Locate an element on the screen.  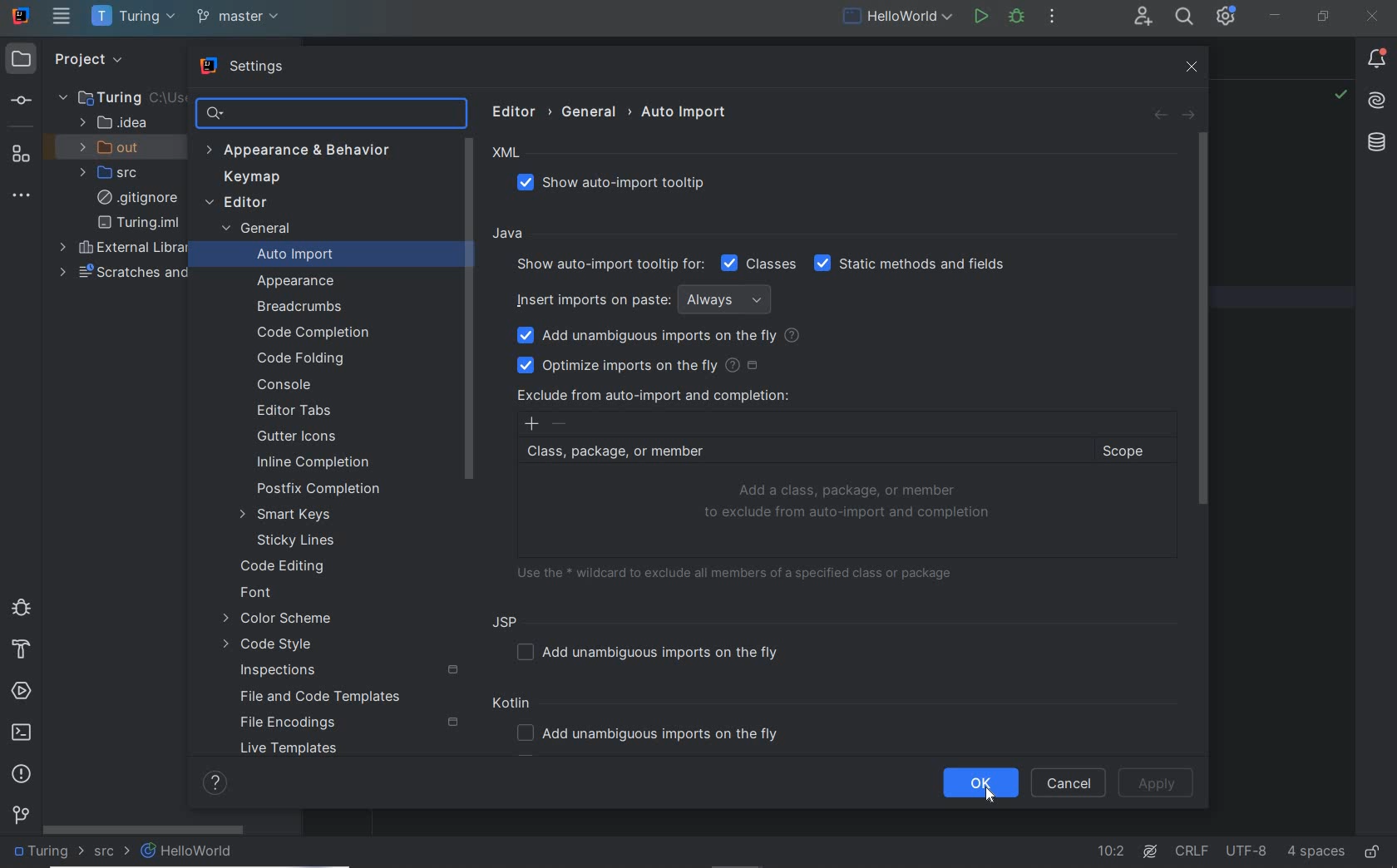
gitignore is located at coordinates (137, 198).